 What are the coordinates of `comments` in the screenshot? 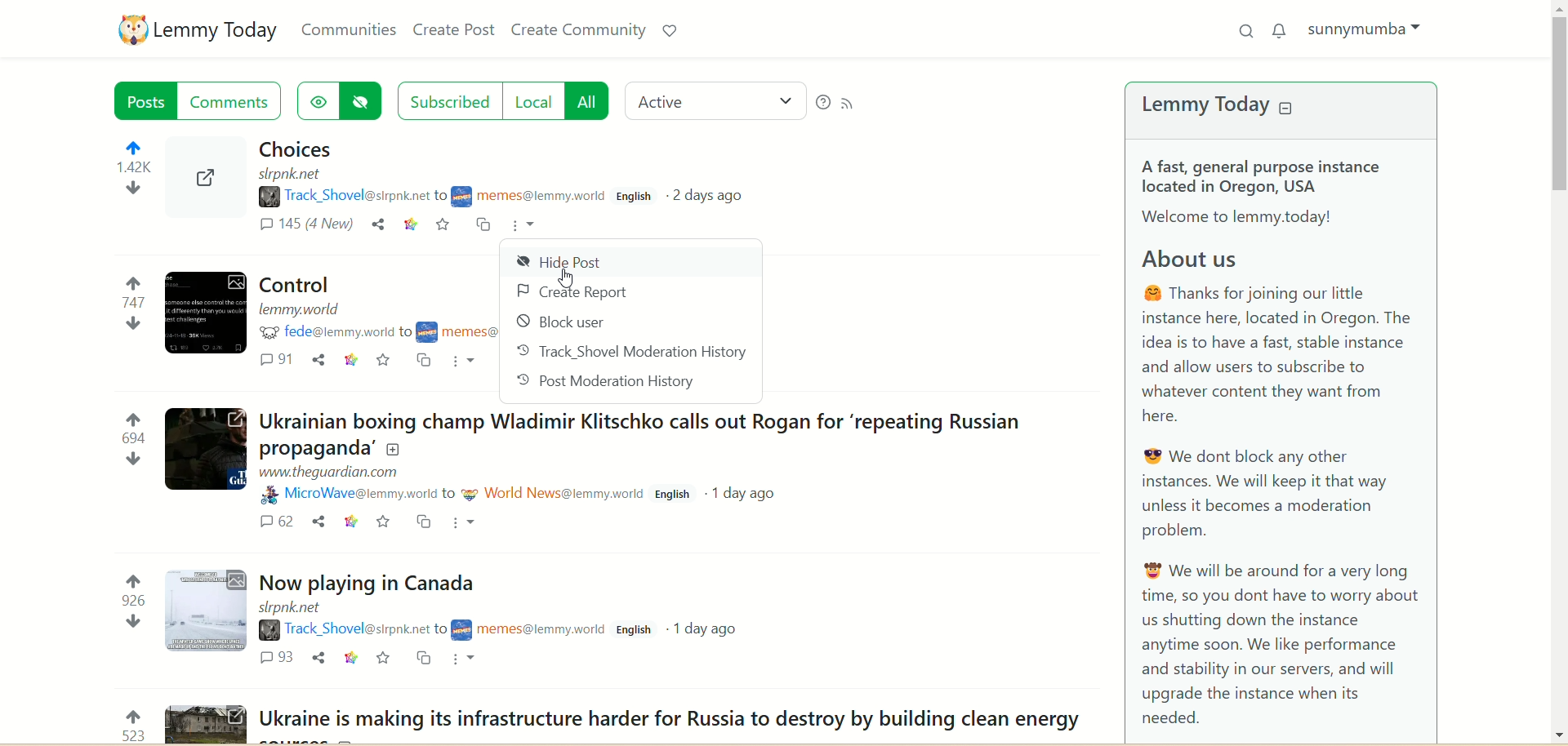 It's located at (308, 229).